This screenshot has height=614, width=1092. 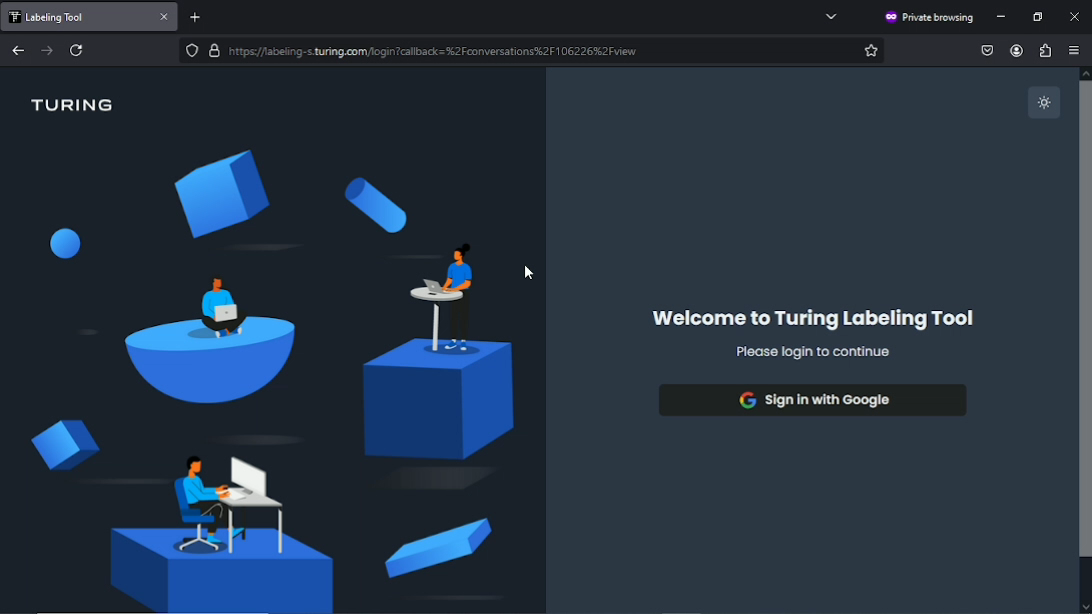 What do you see at coordinates (75, 16) in the screenshot?
I see `New Private Tab` at bounding box center [75, 16].